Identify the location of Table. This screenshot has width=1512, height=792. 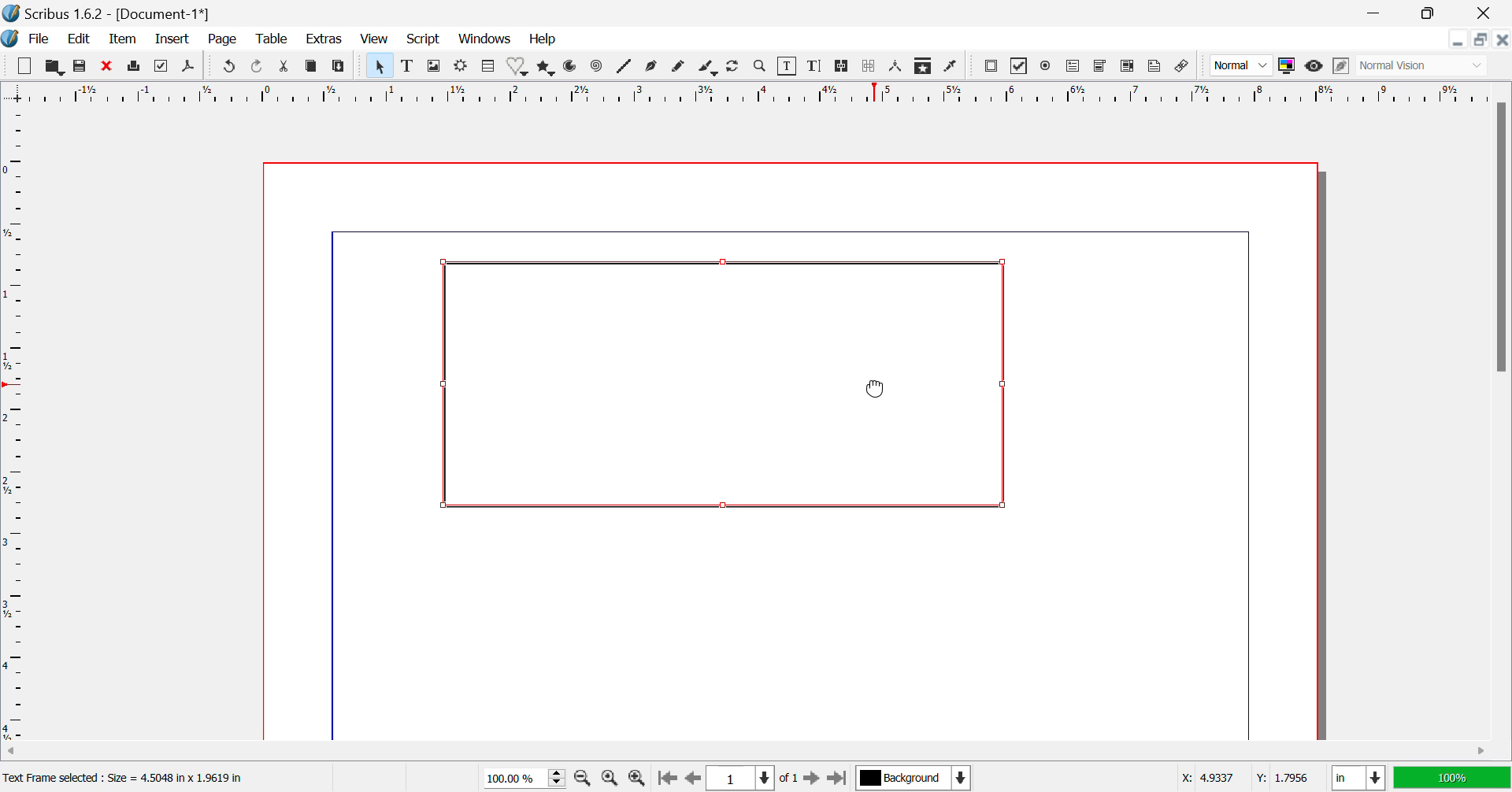
(488, 67).